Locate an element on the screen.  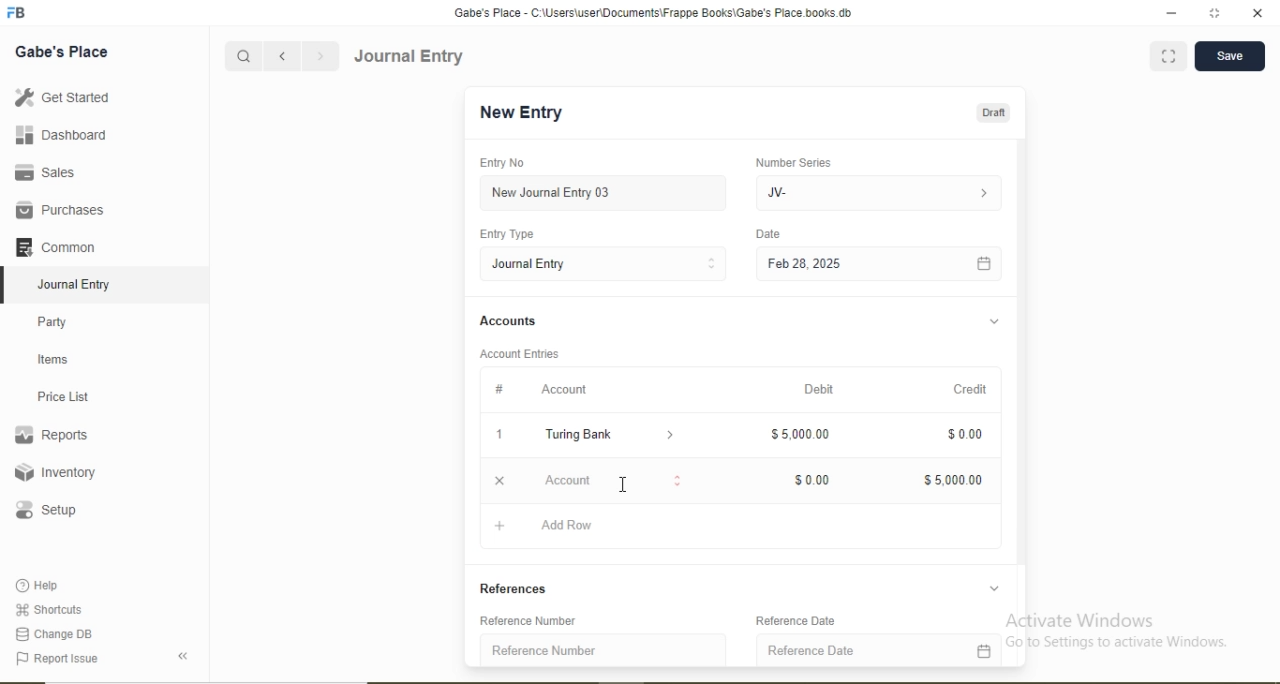
Entry No is located at coordinates (501, 162).